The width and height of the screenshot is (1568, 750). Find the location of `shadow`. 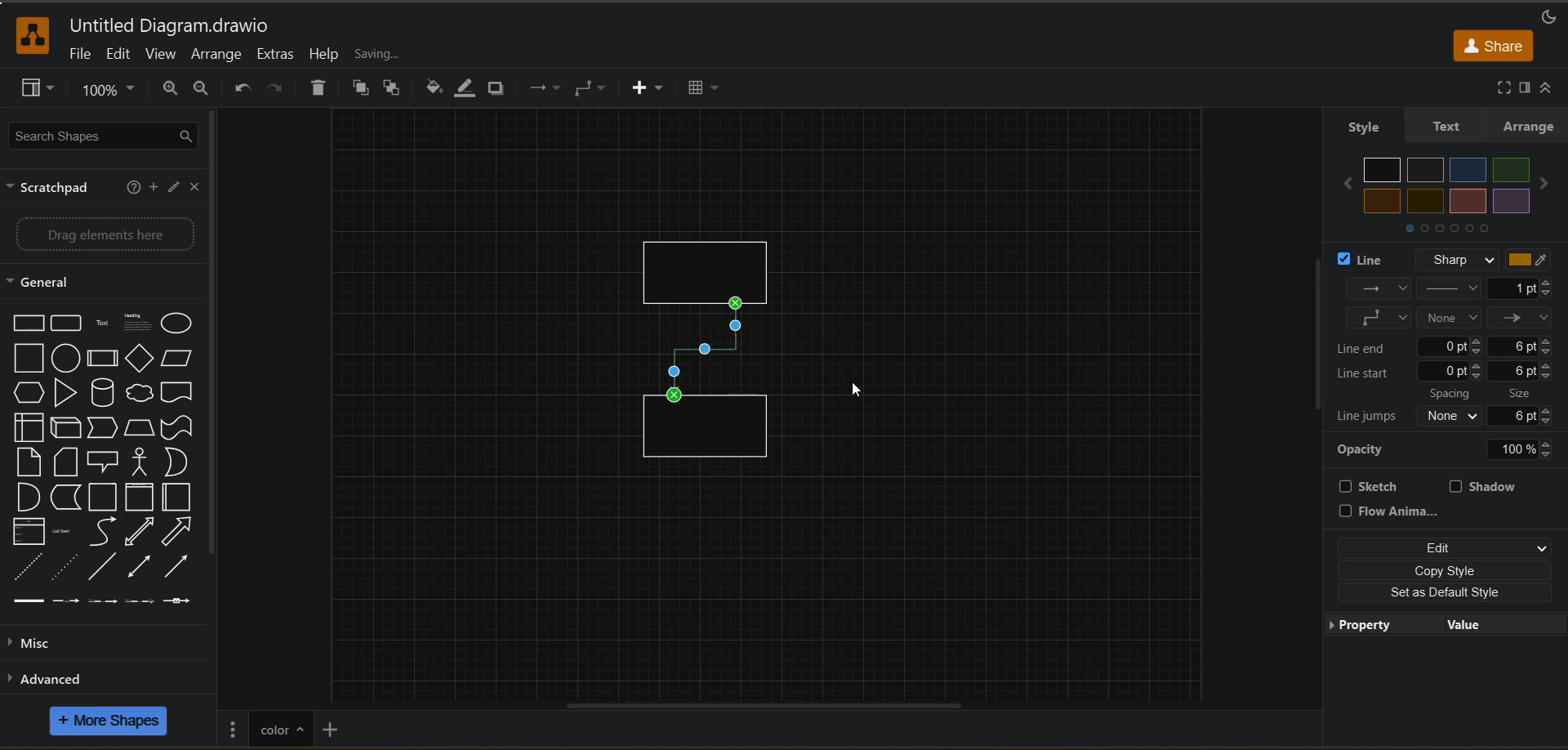

shadow is located at coordinates (501, 89).